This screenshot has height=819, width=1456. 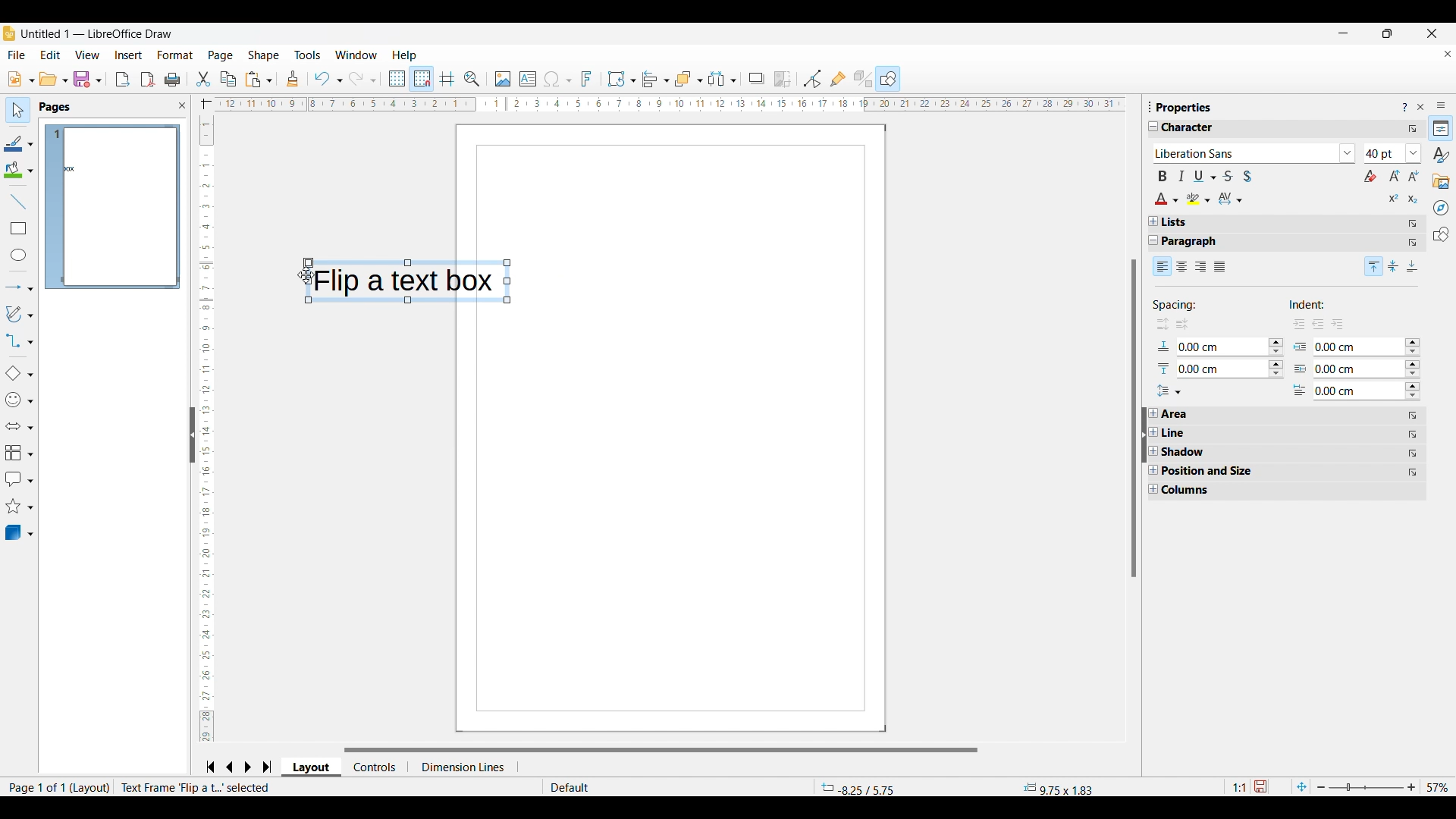 I want to click on Edit menu, so click(x=51, y=55).